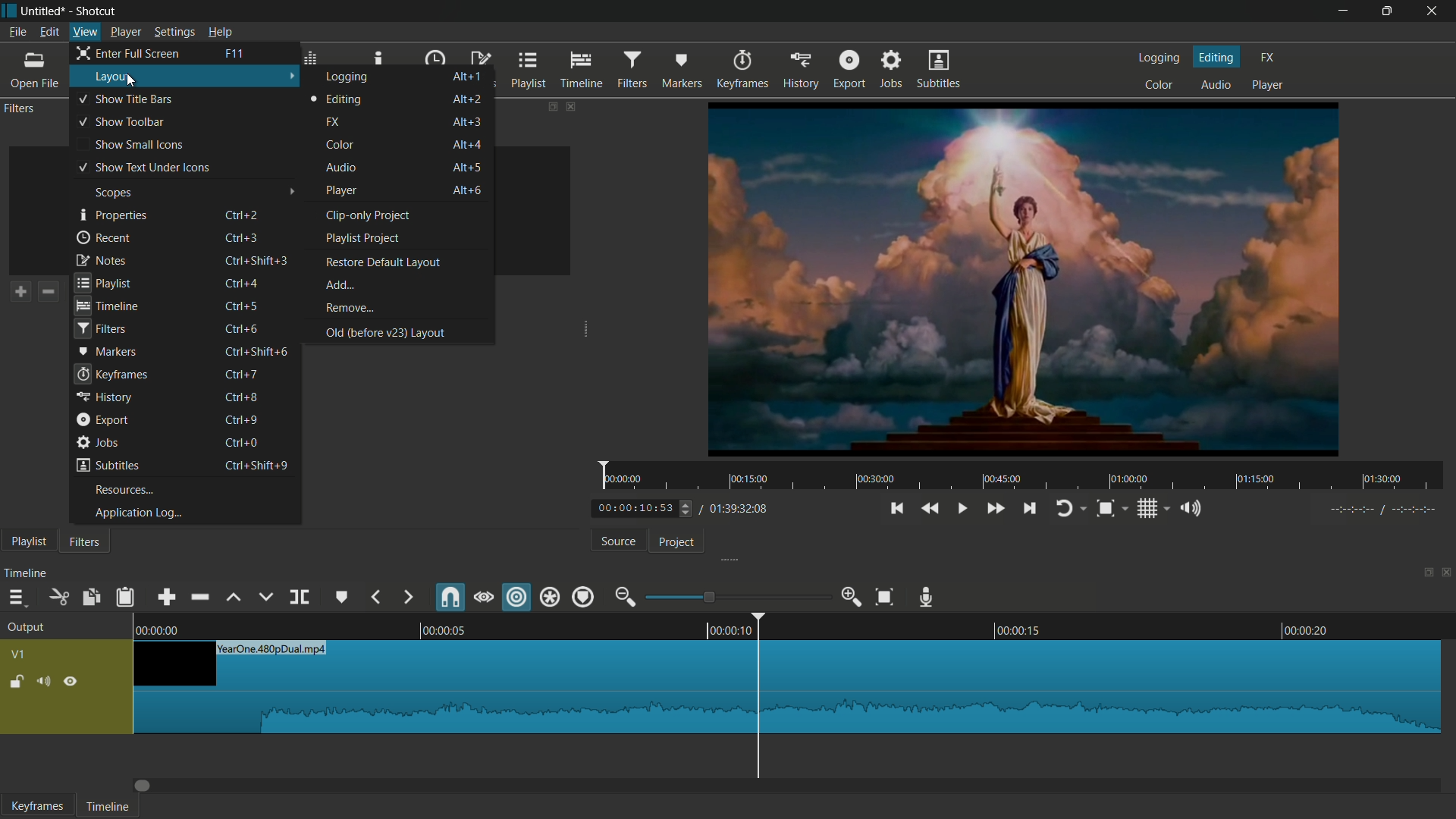  Describe the element at coordinates (83, 541) in the screenshot. I see `filters` at that location.